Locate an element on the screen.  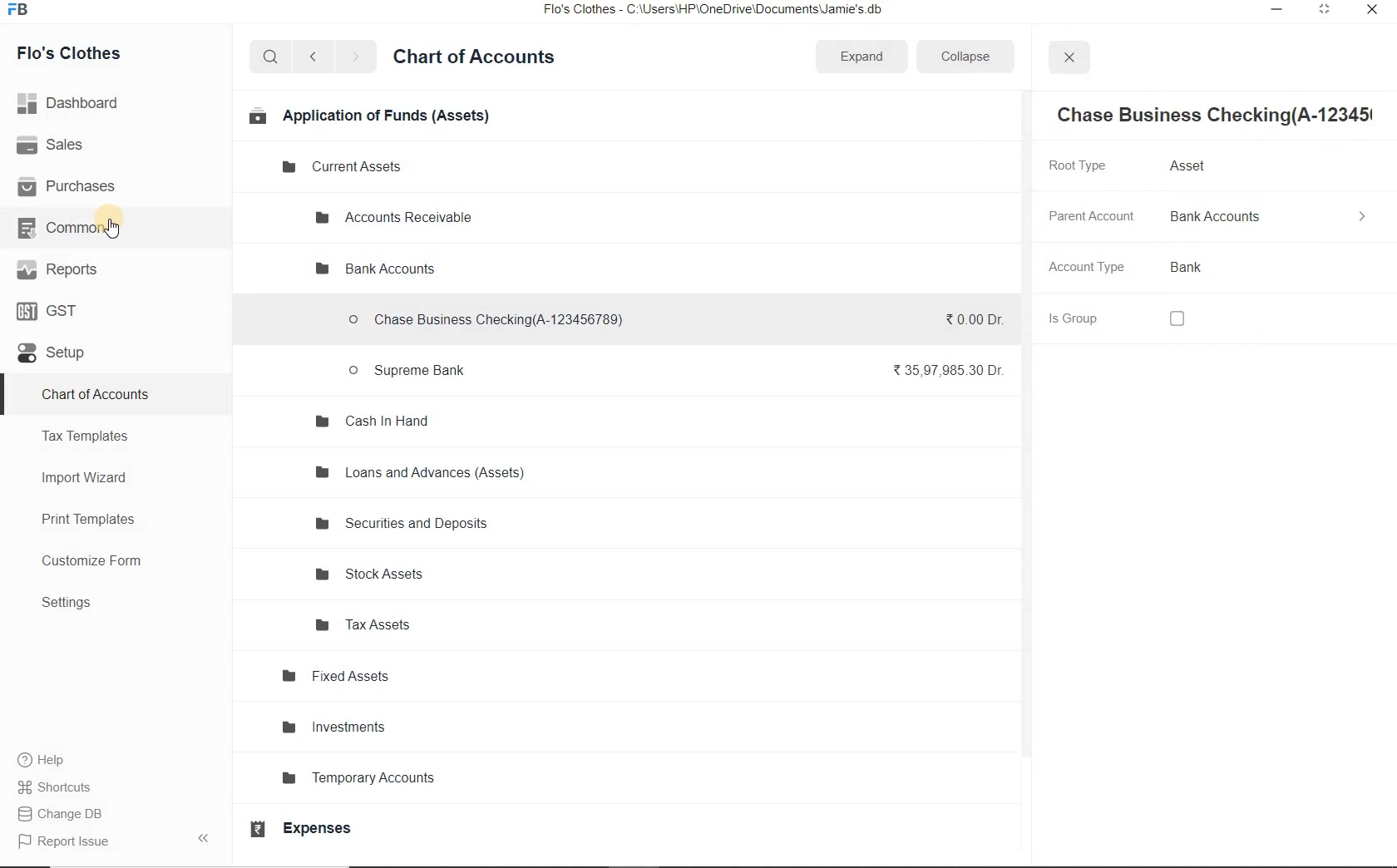
Reports is located at coordinates (58, 270).